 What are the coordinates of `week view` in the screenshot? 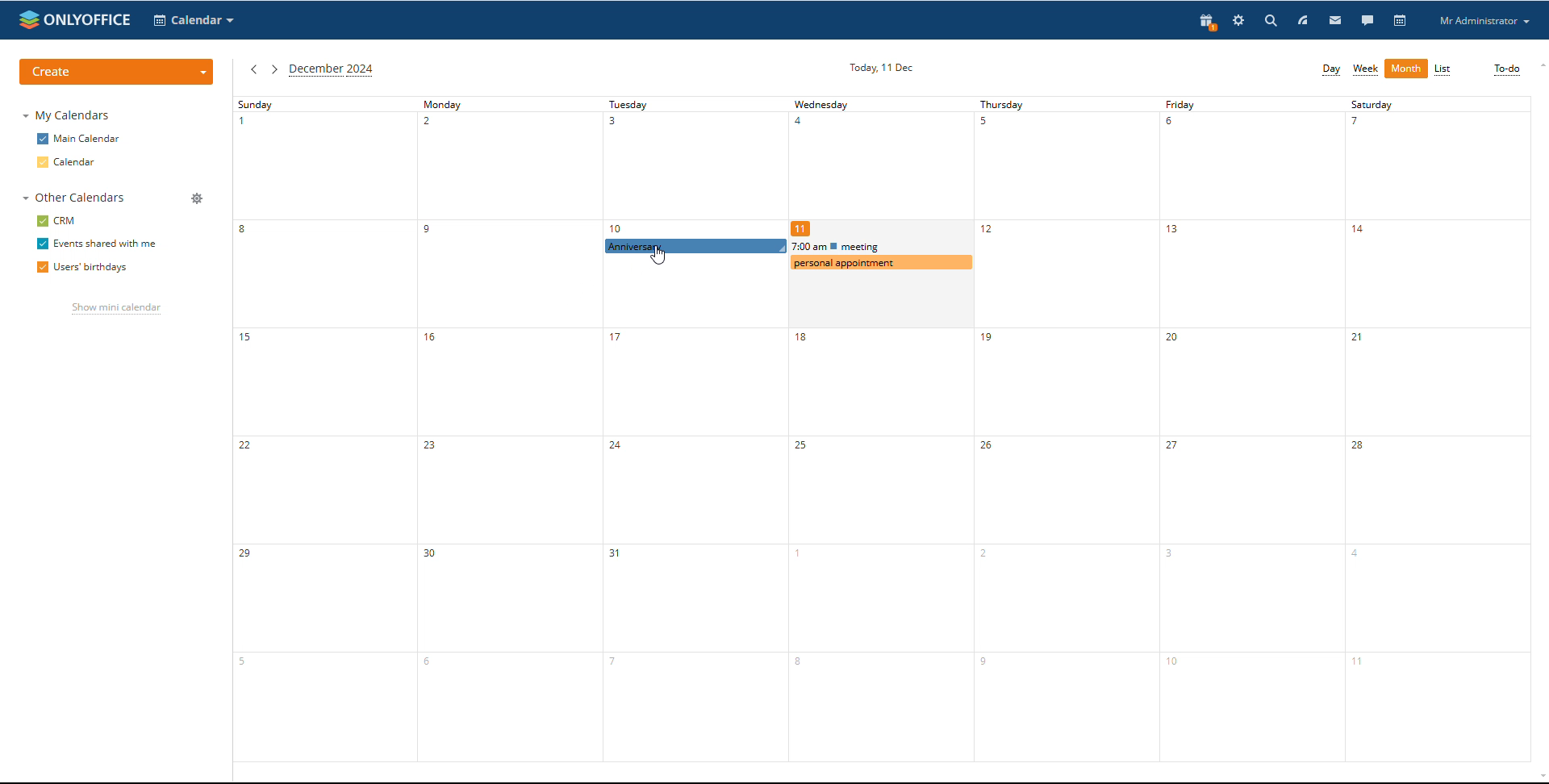 It's located at (1366, 70).